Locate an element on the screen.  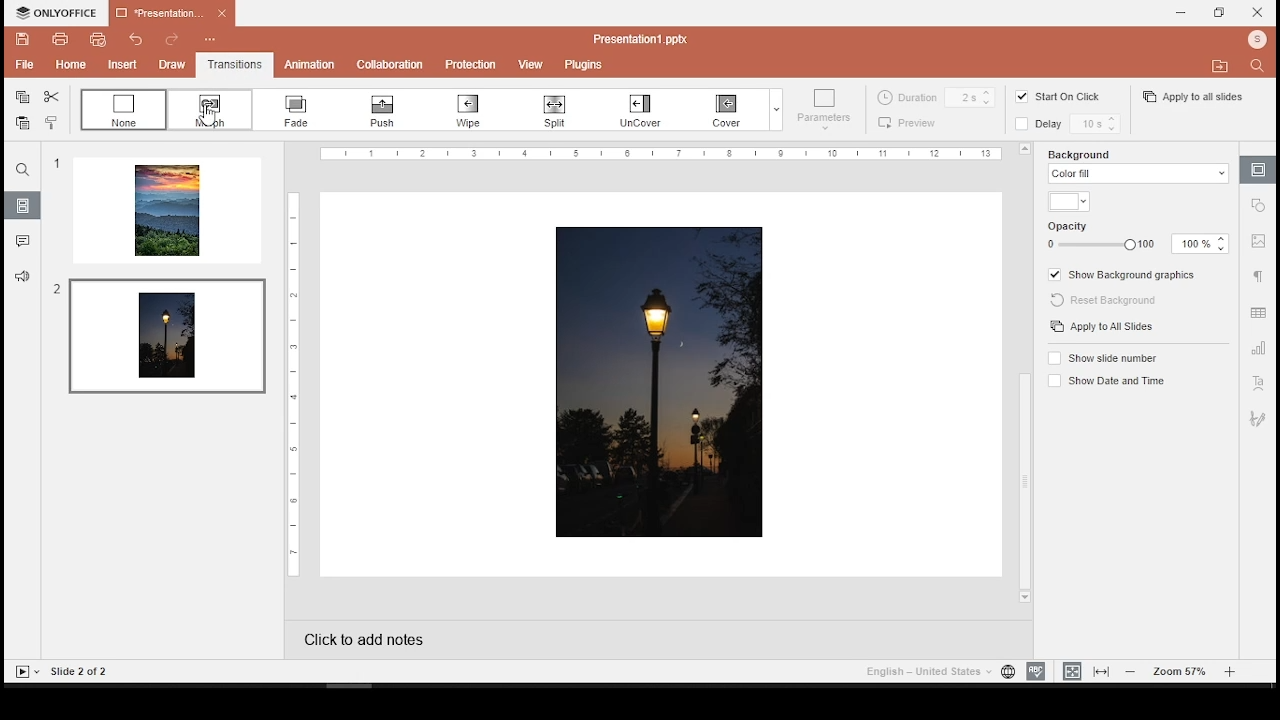
restore is located at coordinates (1220, 13).